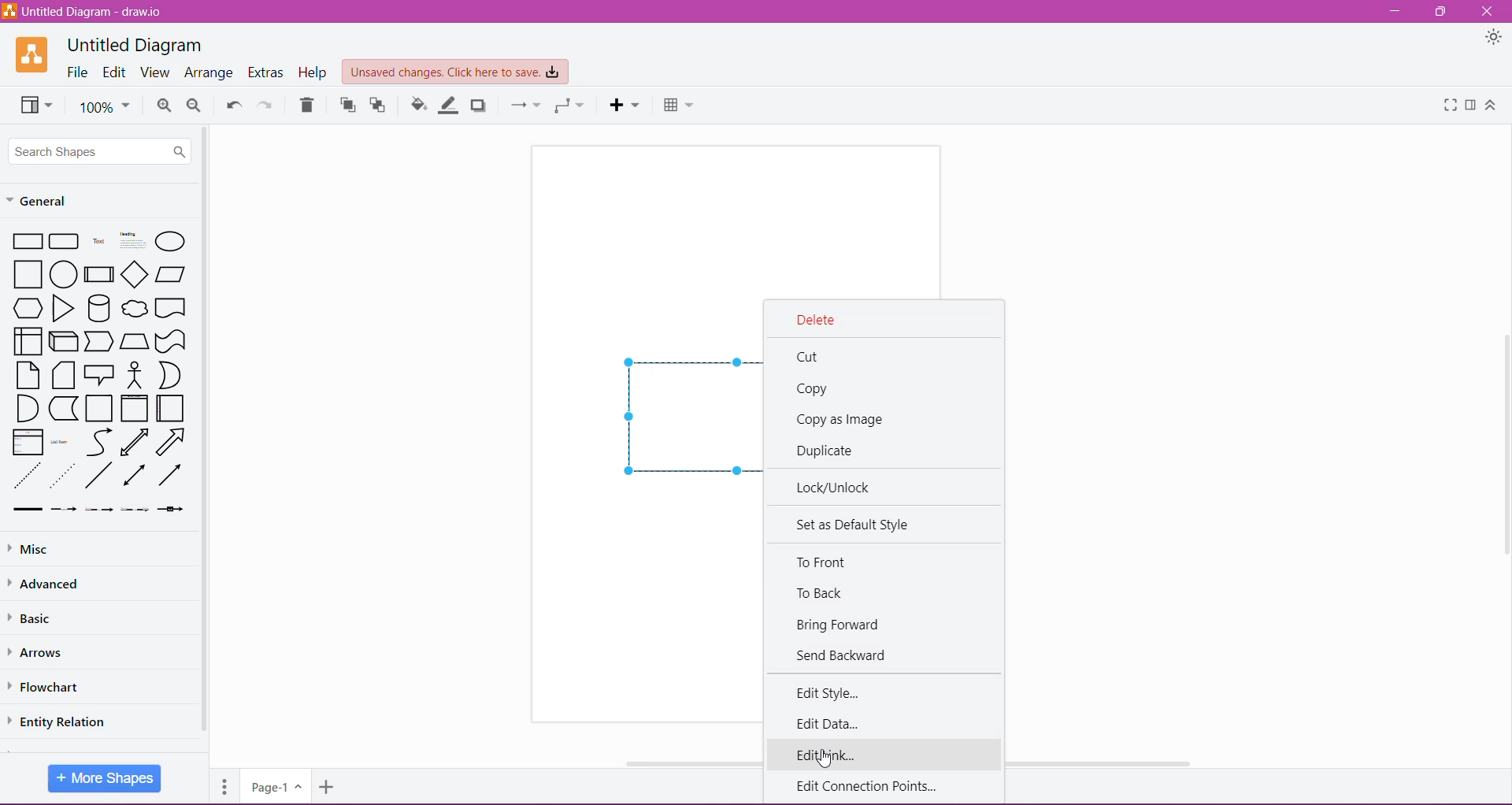 The width and height of the screenshot is (1512, 805). Describe the element at coordinates (329, 787) in the screenshot. I see `Insert Page` at that location.